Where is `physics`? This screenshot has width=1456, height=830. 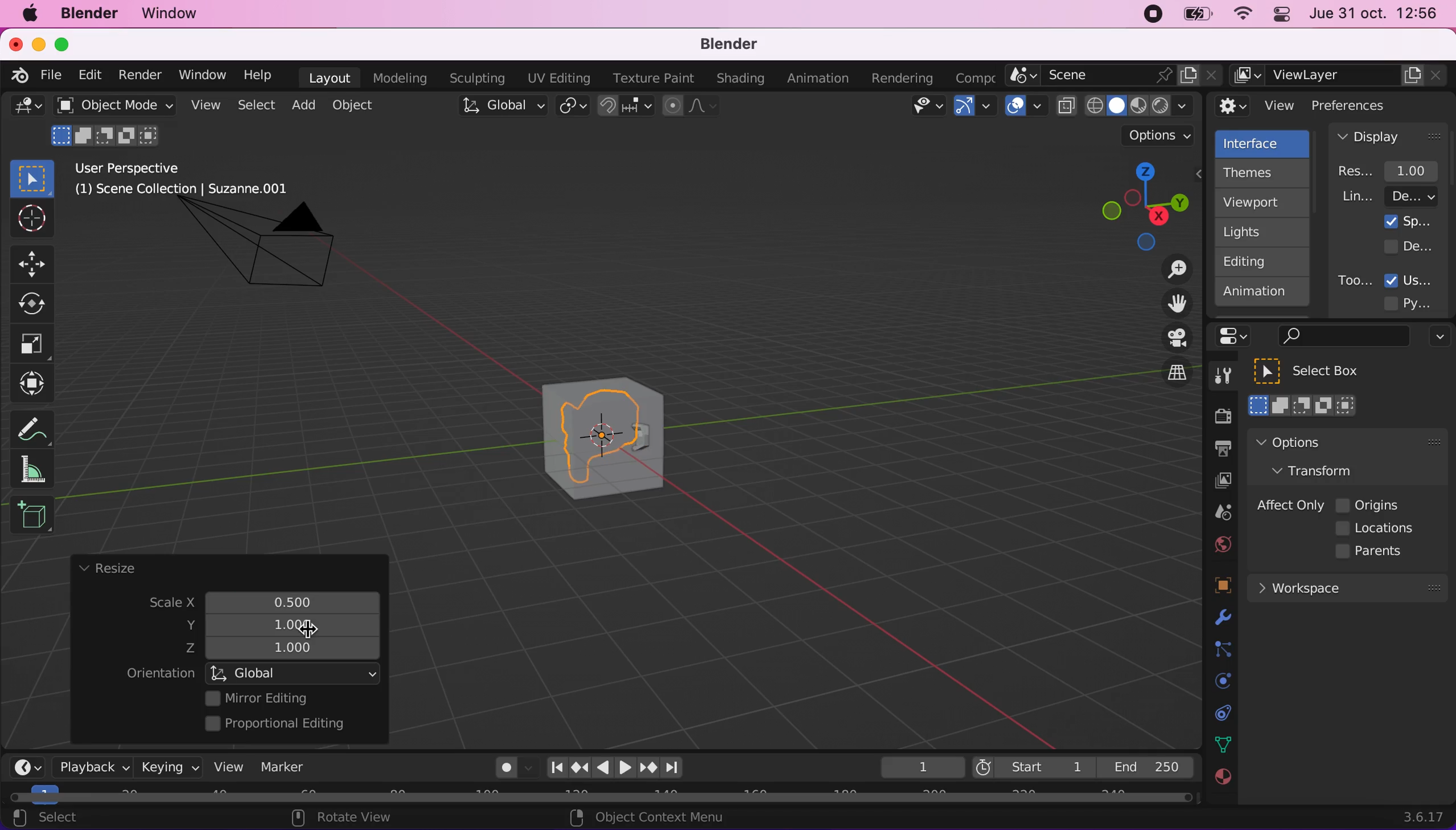
physics is located at coordinates (1220, 619).